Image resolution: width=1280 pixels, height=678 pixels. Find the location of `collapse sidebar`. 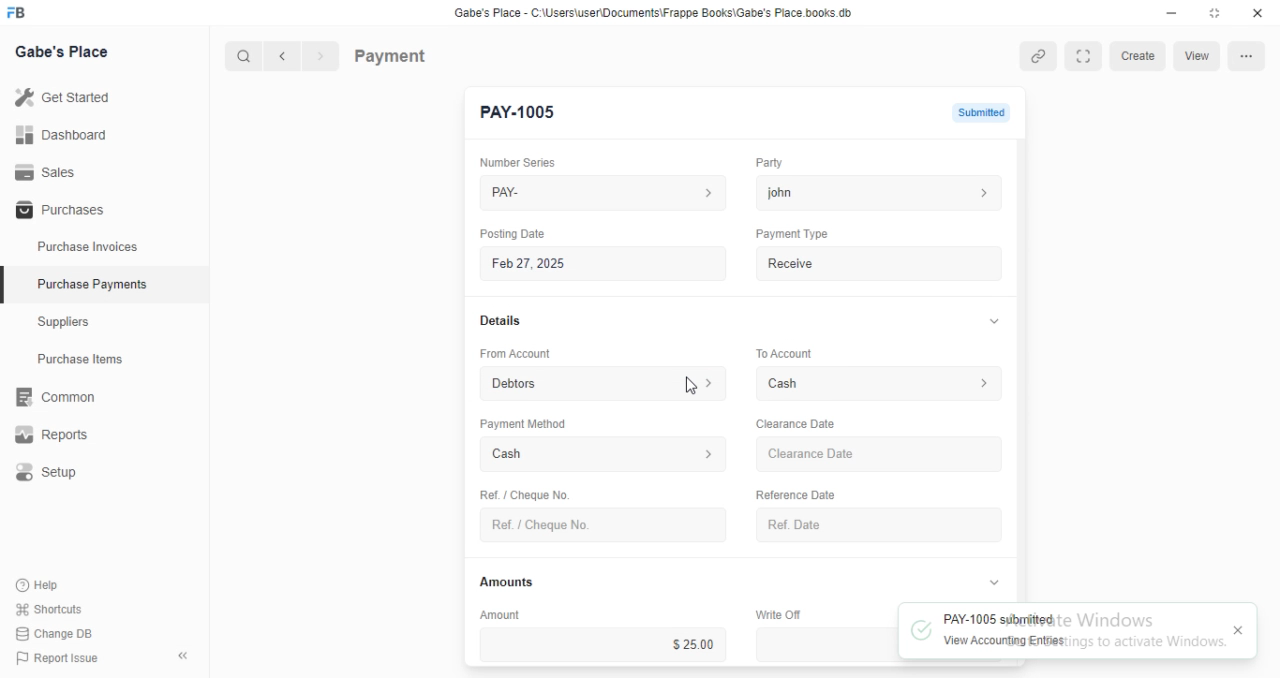

collapse sidebar is located at coordinates (182, 655).